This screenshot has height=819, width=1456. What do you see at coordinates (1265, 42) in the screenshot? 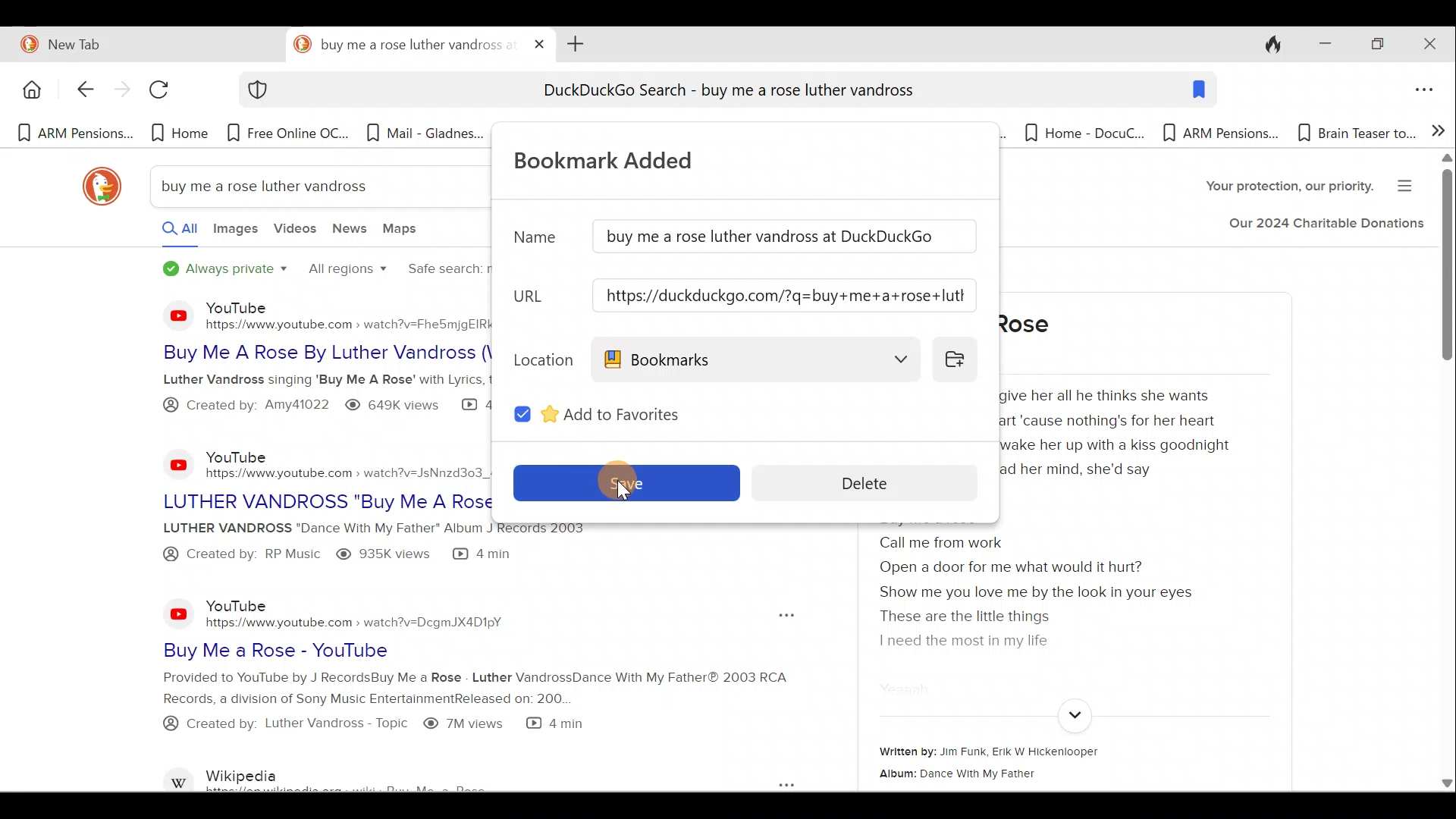
I see `Close tabs and clear data` at bounding box center [1265, 42].